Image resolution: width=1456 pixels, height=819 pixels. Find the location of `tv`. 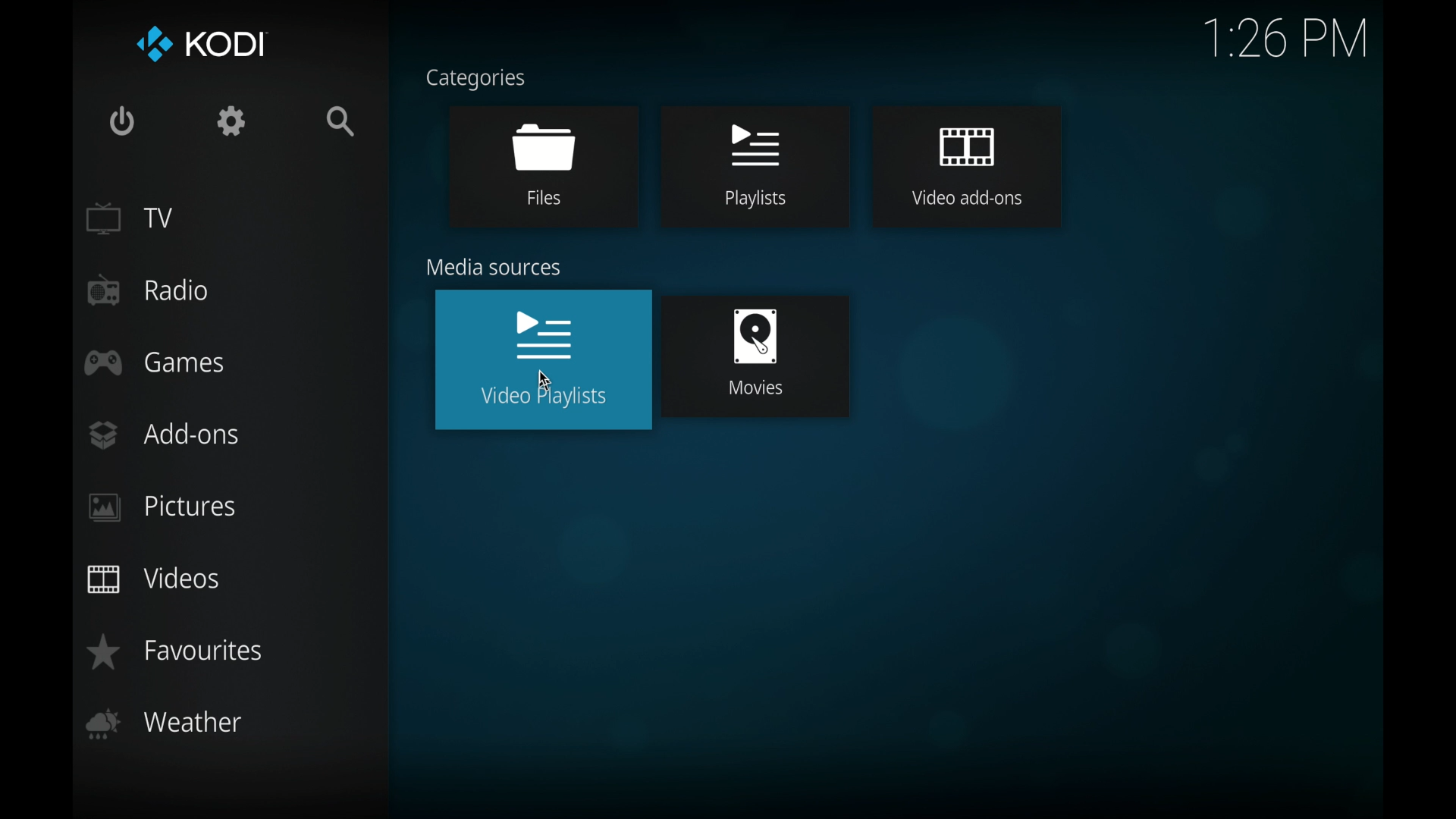

tv is located at coordinates (131, 218).